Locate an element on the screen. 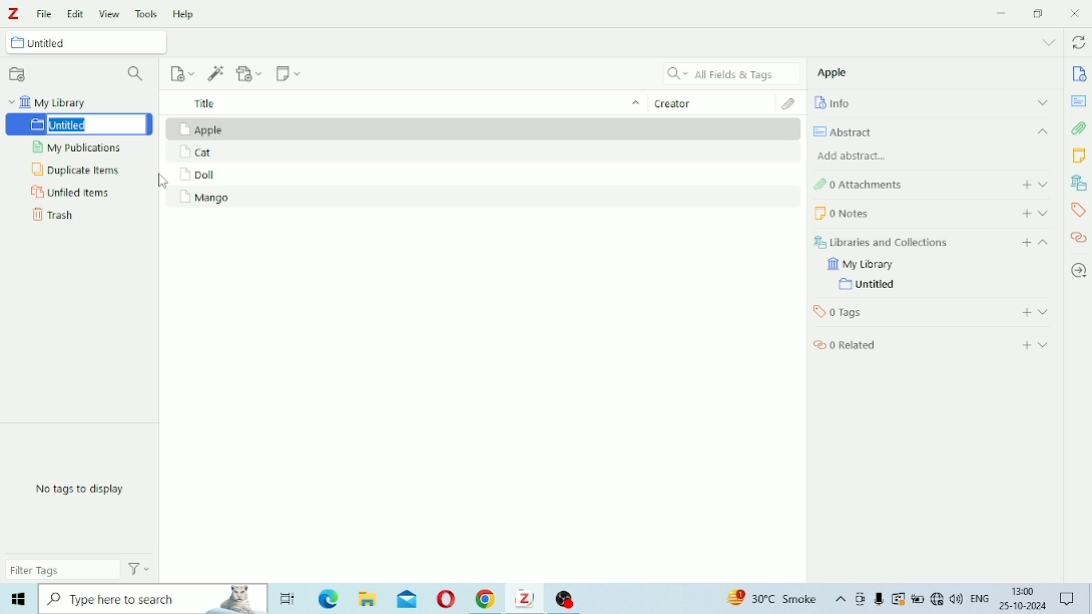  Tags is located at coordinates (837, 312).